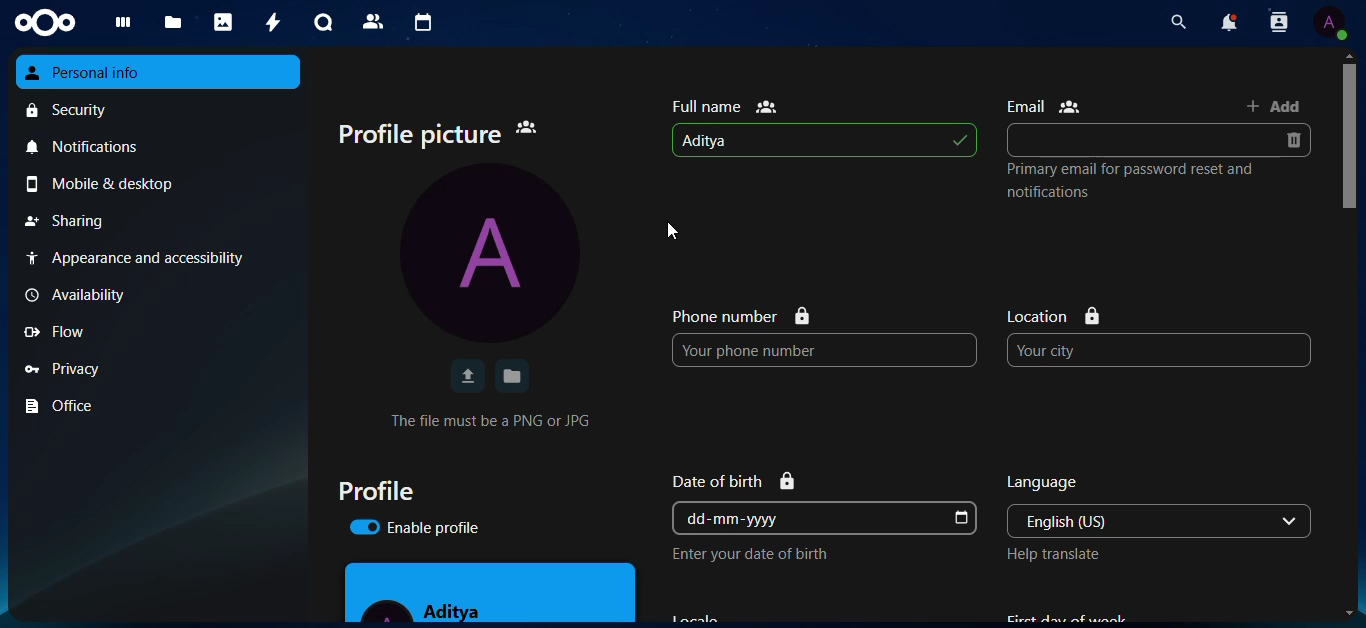  Describe the element at coordinates (157, 258) in the screenshot. I see `Appearance and accessibility` at that location.